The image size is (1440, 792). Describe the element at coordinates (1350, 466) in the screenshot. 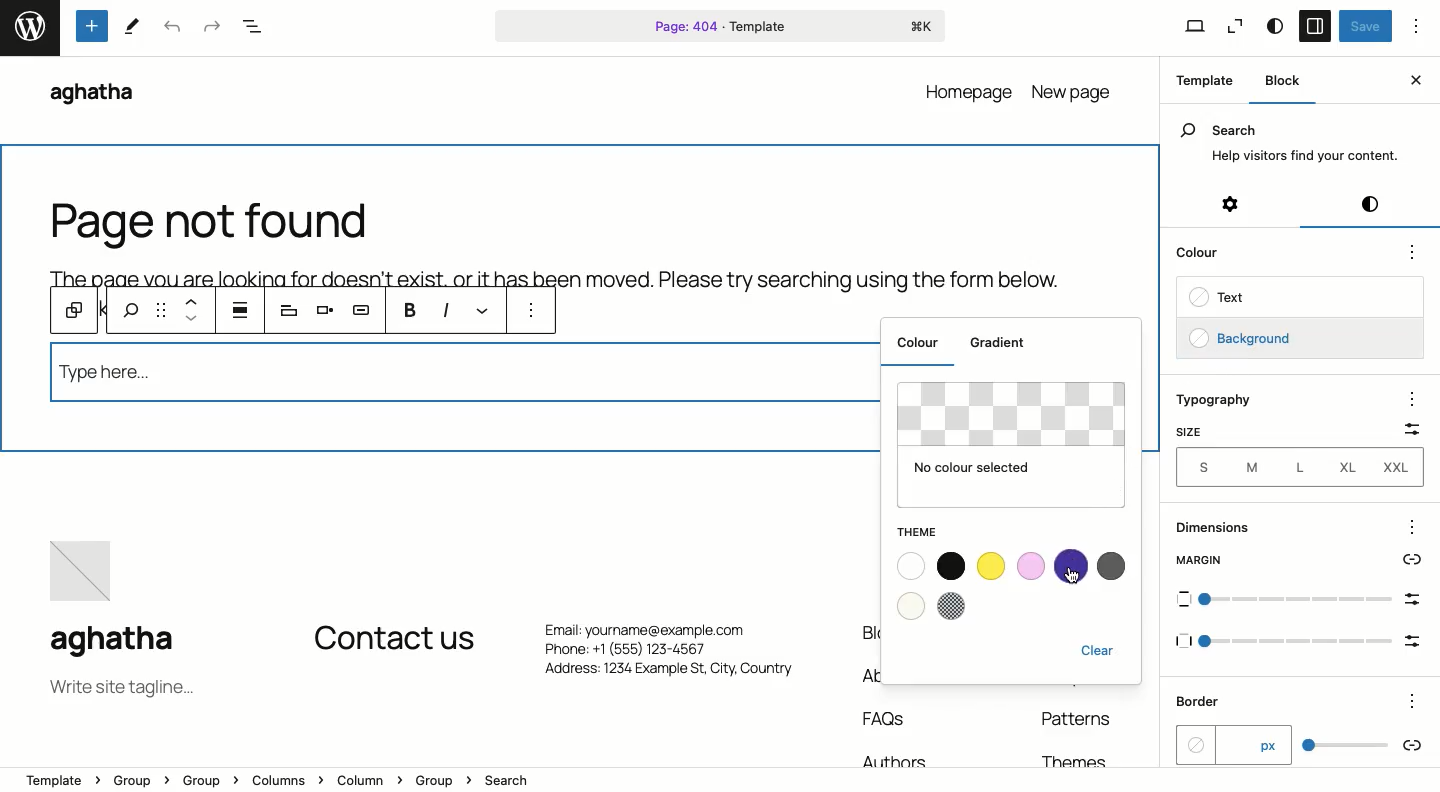

I see `XL` at that location.